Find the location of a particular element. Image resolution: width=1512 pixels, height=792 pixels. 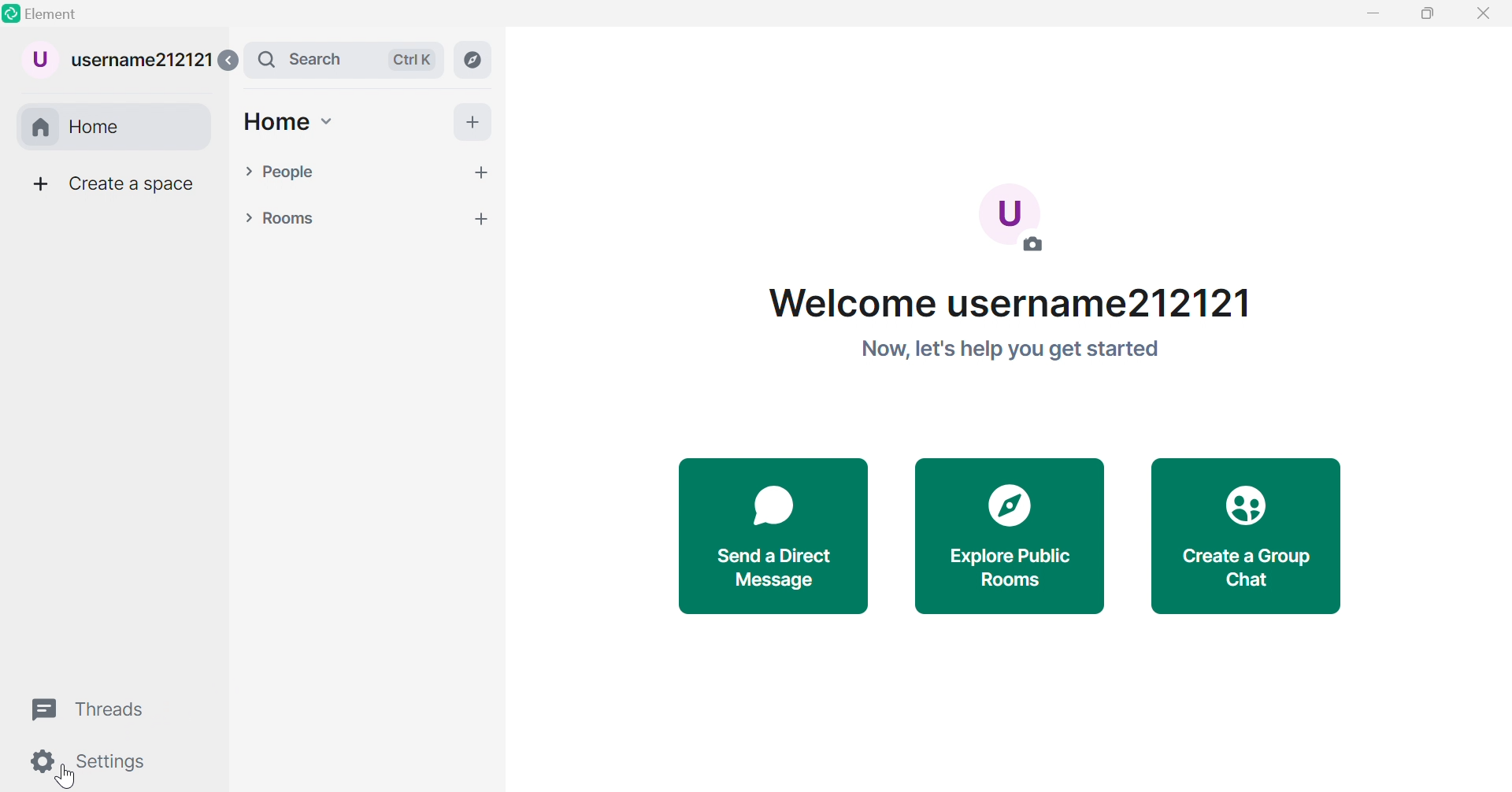

Element logo is located at coordinates (11, 13).